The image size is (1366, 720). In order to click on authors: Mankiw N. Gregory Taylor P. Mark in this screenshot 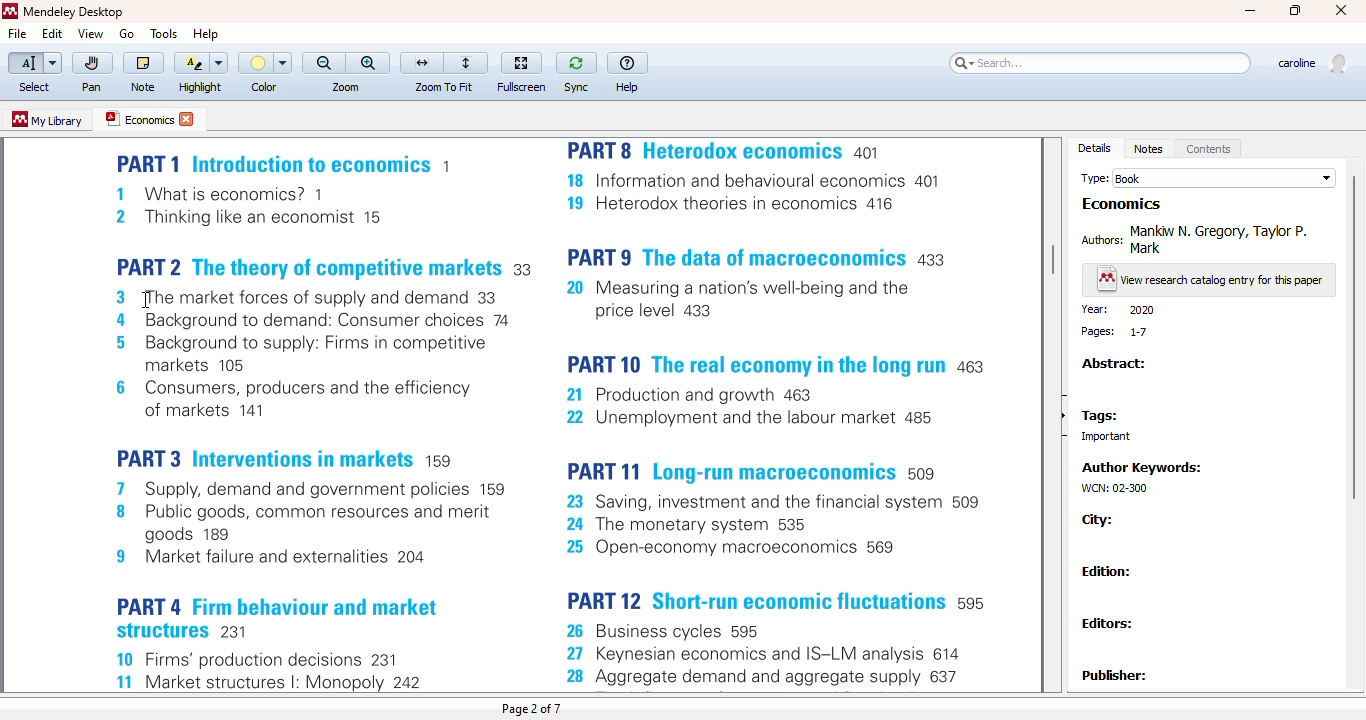, I will do `click(1199, 238)`.